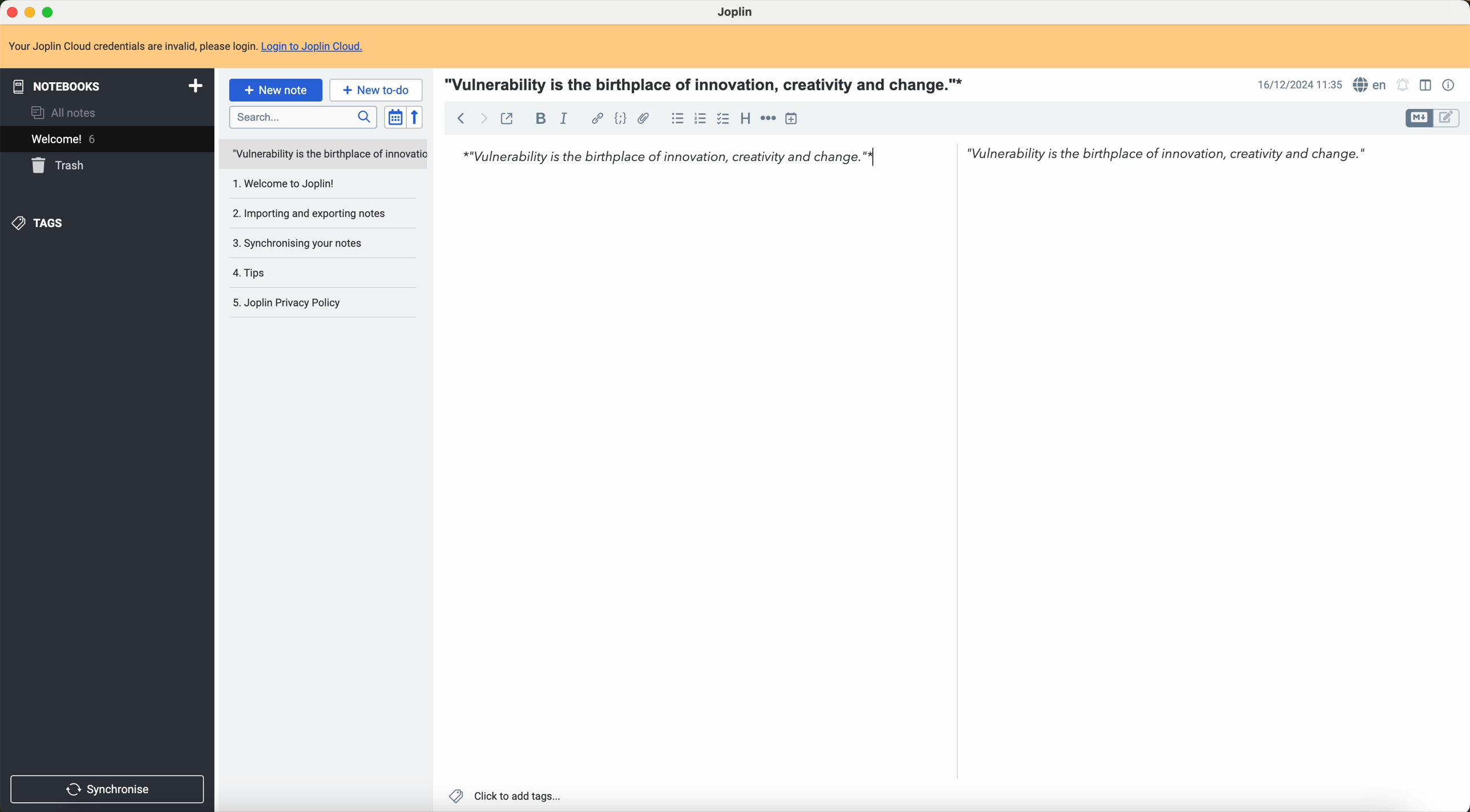  What do you see at coordinates (10, 10) in the screenshot?
I see `close program` at bounding box center [10, 10].